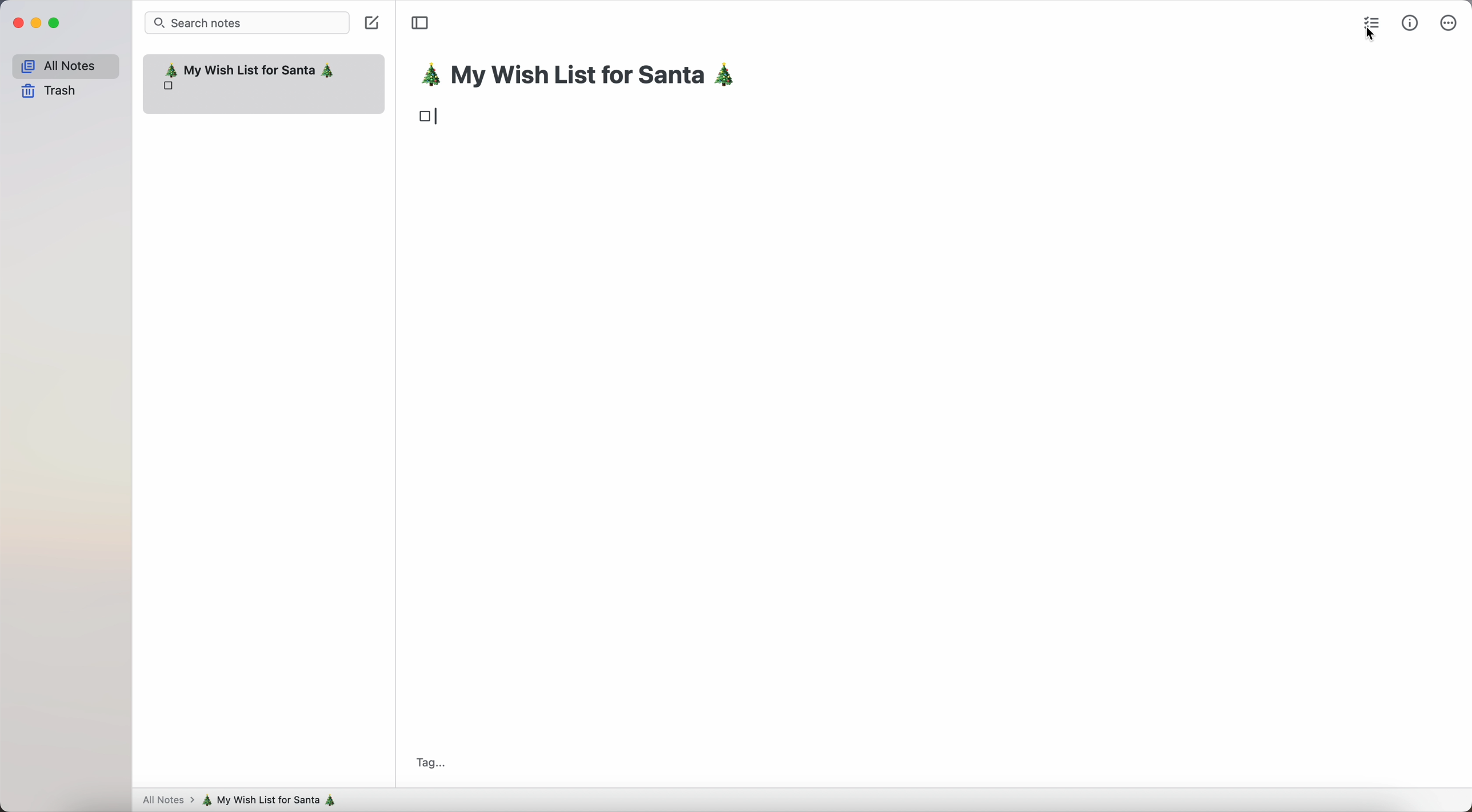 The height and width of the screenshot is (812, 1472). I want to click on click on check list, so click(1374, 27).